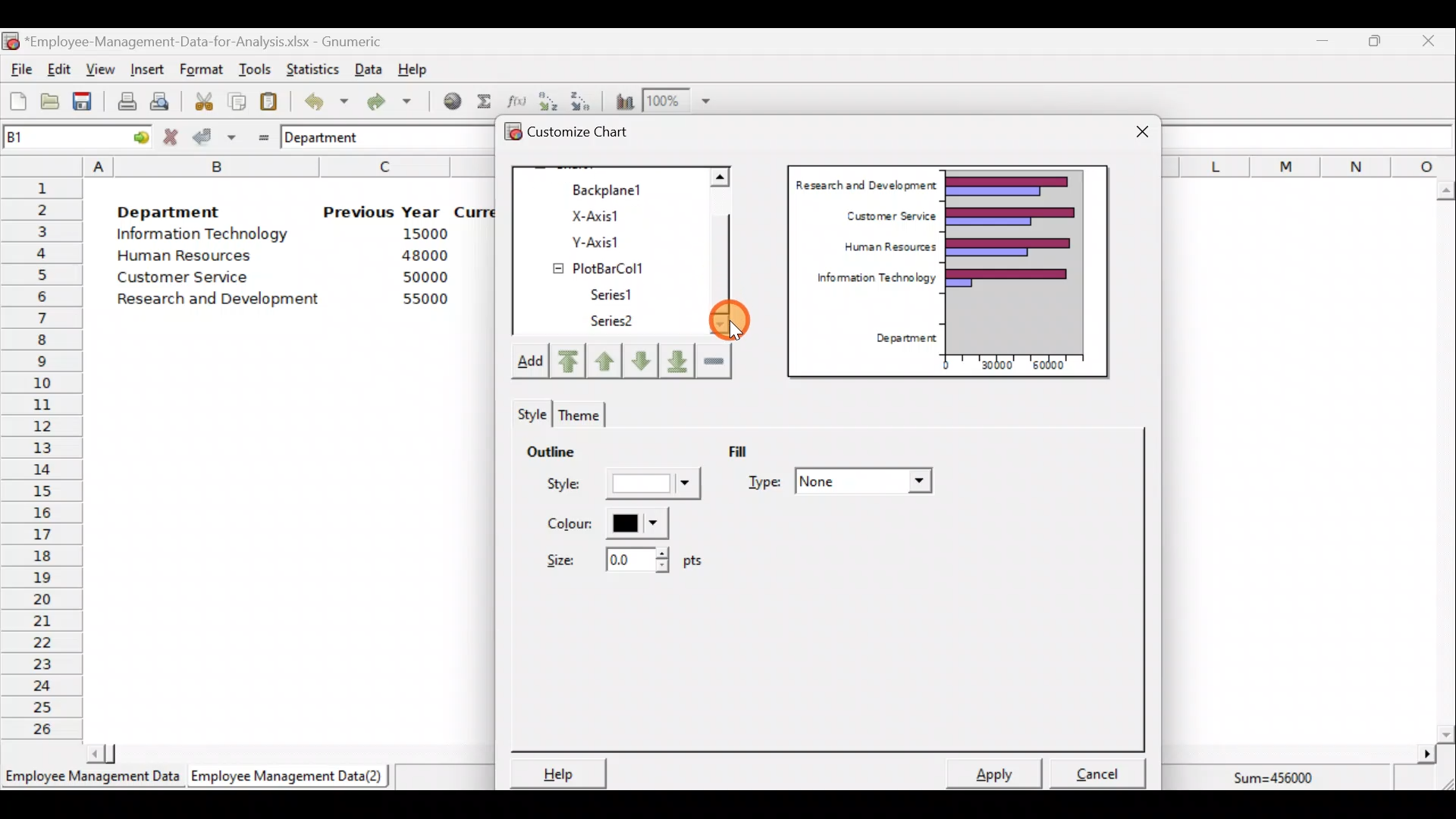 The image size is (1456, 819). I want to click on 30000, so click(996, 363).